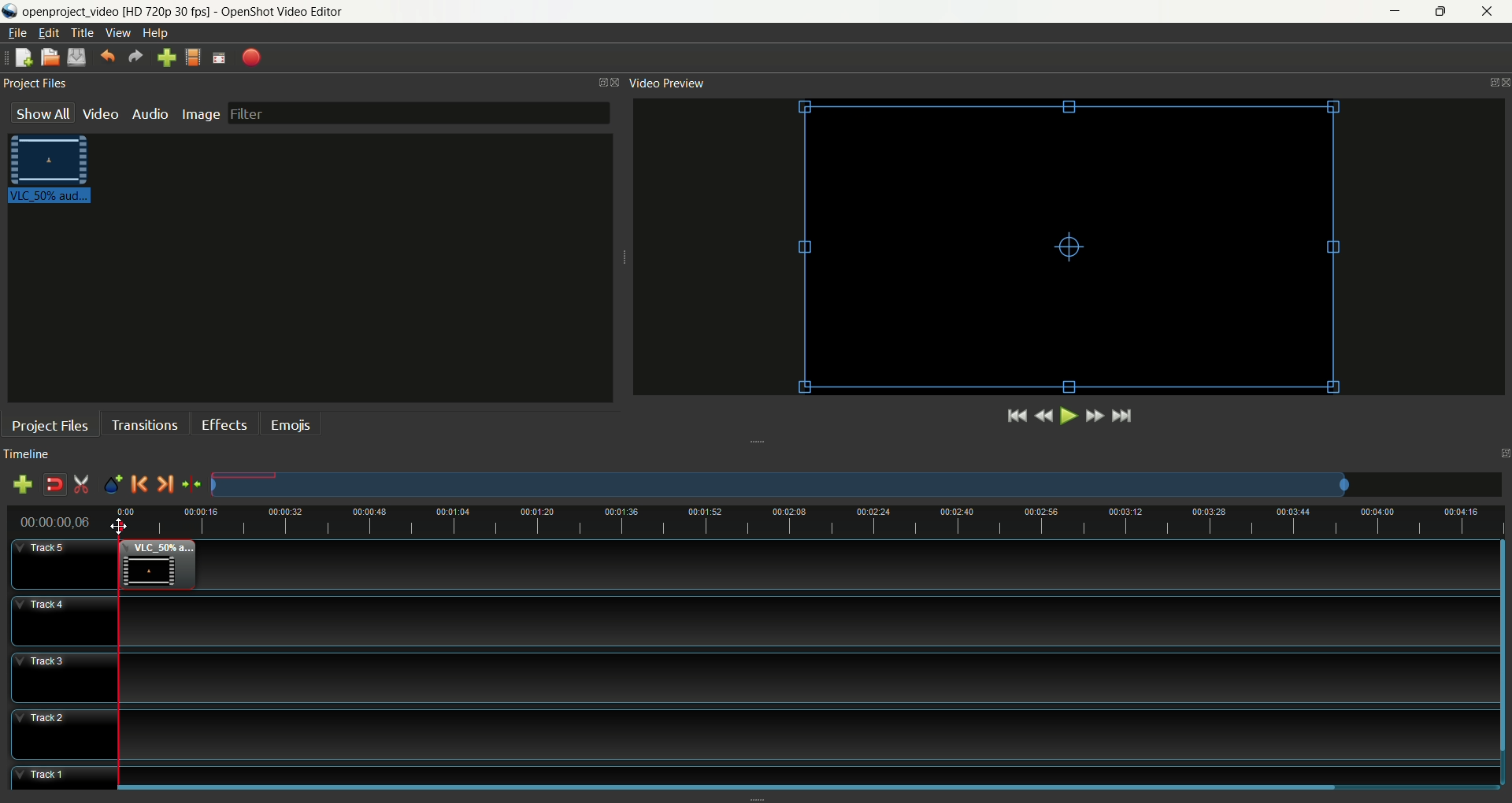 The image size is (1512, 803). I want to click on minimize, so click(1392, 12).